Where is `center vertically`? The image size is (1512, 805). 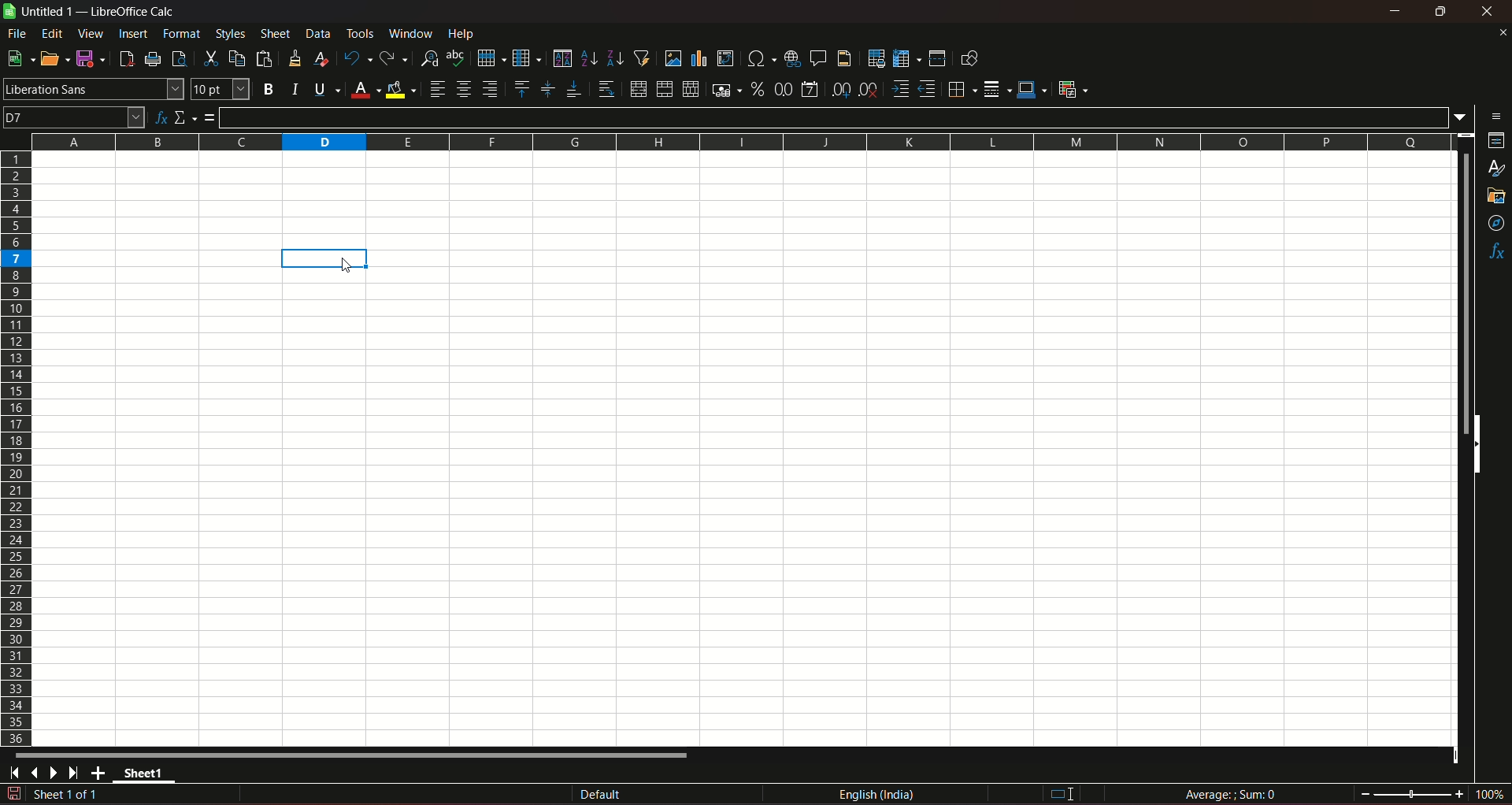
center vertically is located at coordinates (547, 89).